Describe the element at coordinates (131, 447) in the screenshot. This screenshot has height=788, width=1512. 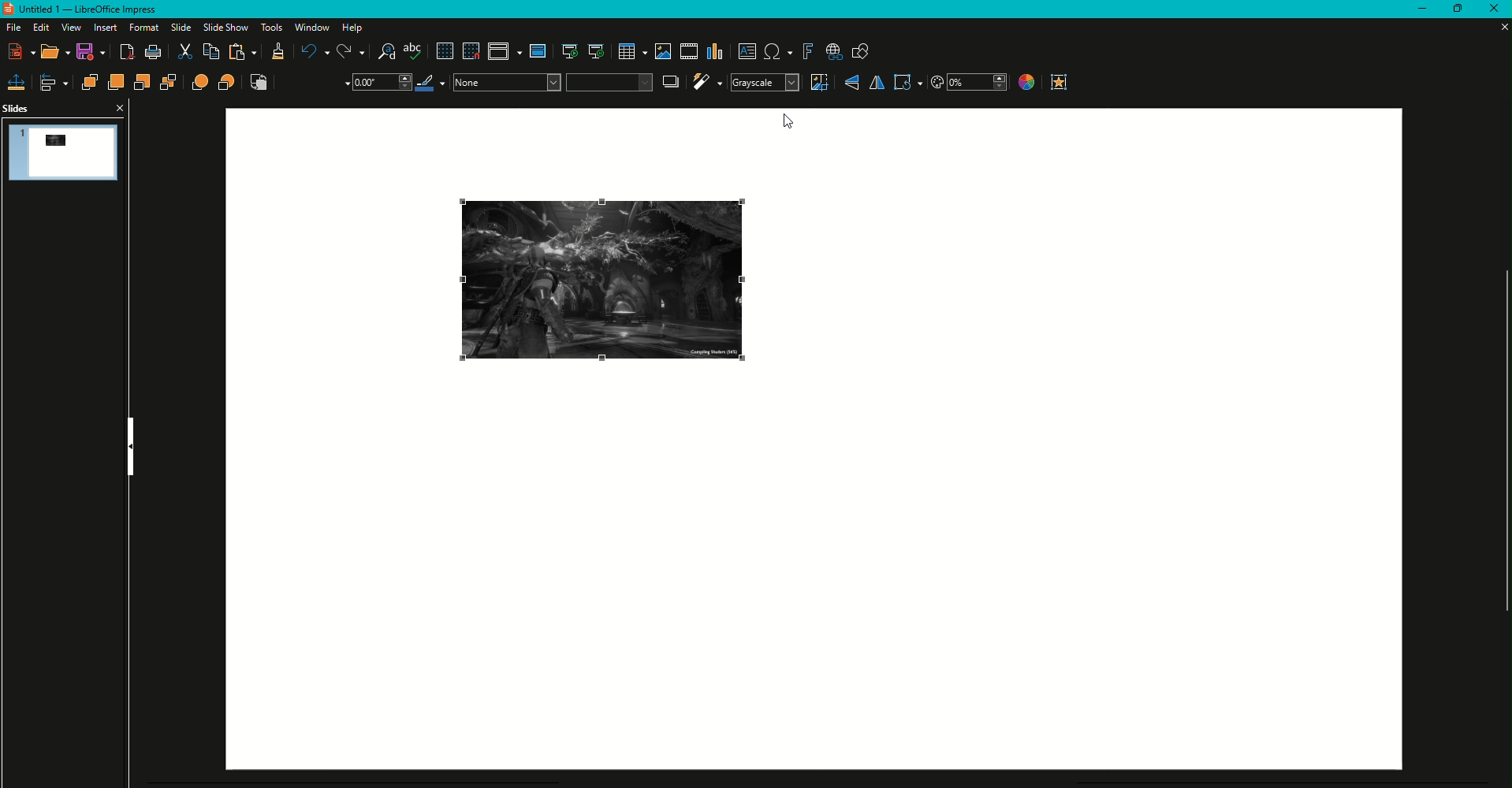
I see `Hide` at that location.